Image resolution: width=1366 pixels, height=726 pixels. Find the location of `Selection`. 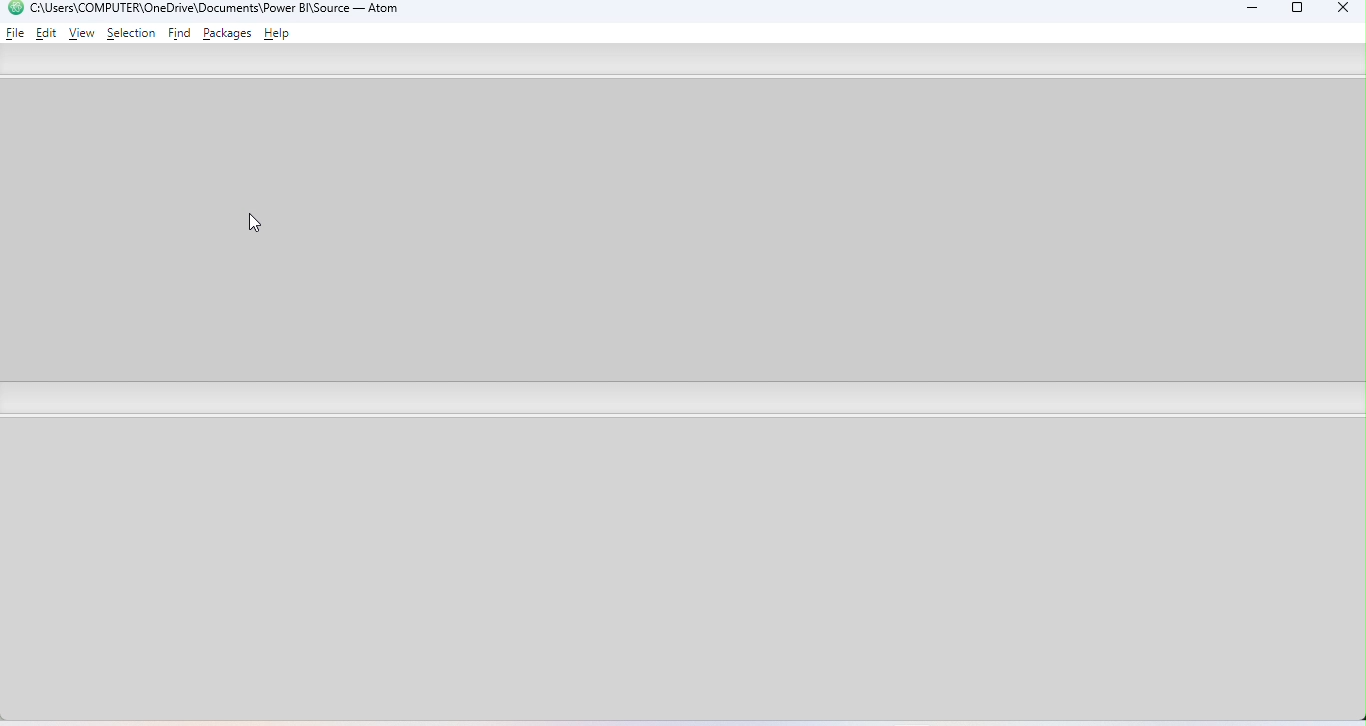

Selection is located at coordinates (131, 33).